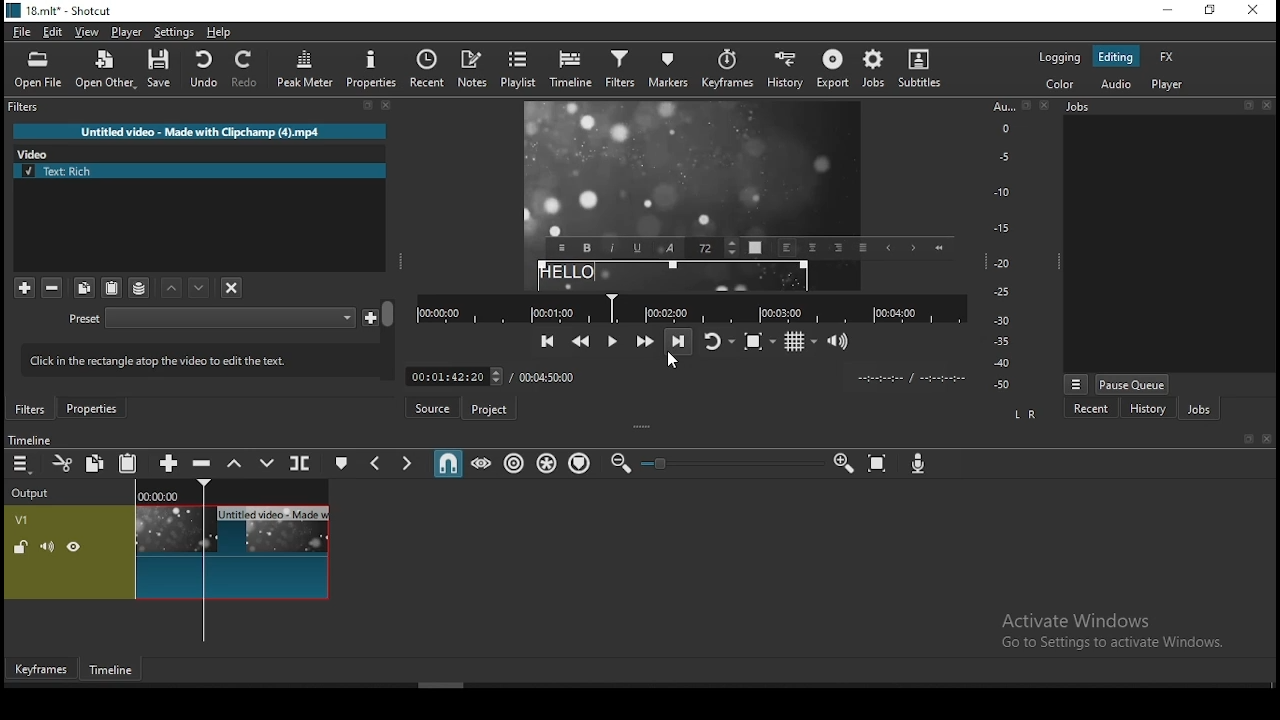  I want to click on move filter down, so click(173, 288).